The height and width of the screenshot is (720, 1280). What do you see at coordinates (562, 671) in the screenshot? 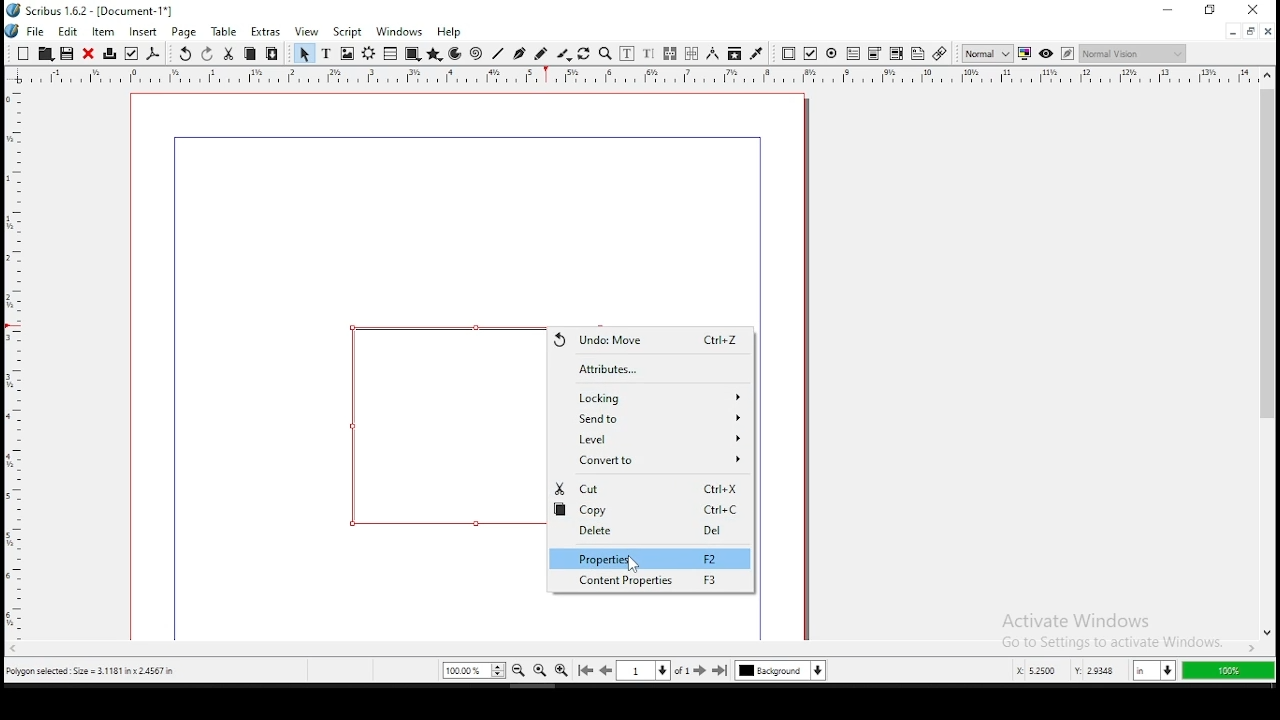
I see `zoom in` at bounding box center [562, 671].